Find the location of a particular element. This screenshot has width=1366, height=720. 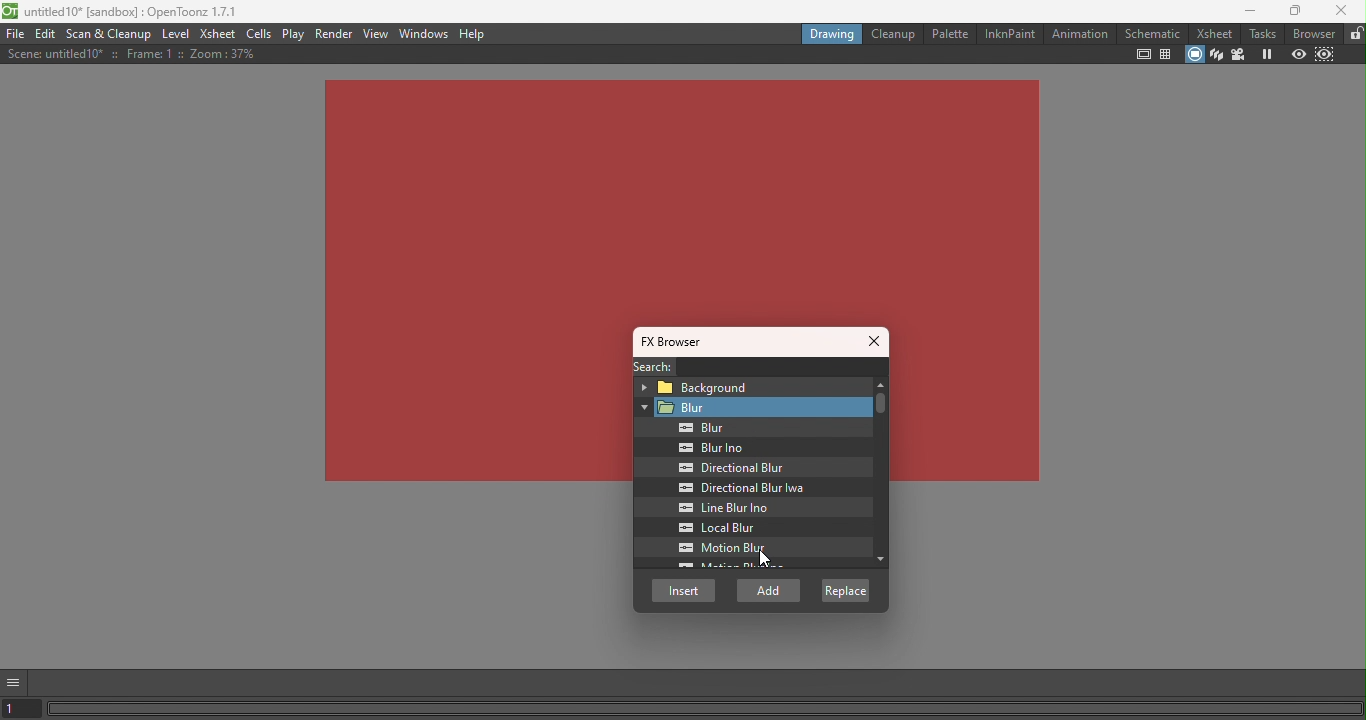

3D view is located at coordinates (1217, 53).